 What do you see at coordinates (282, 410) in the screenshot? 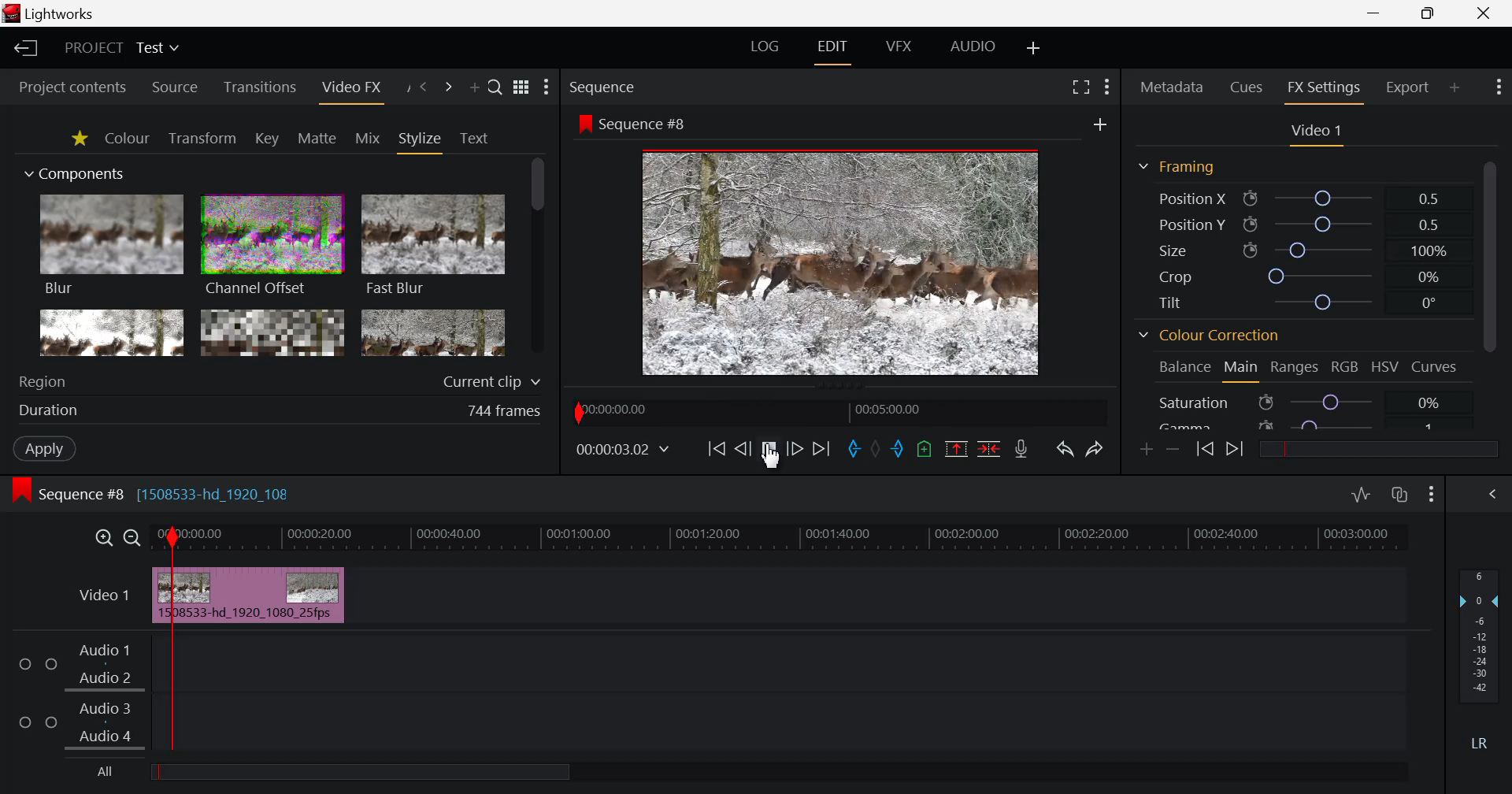
I see `Duration` at bounding box center [282, 410].